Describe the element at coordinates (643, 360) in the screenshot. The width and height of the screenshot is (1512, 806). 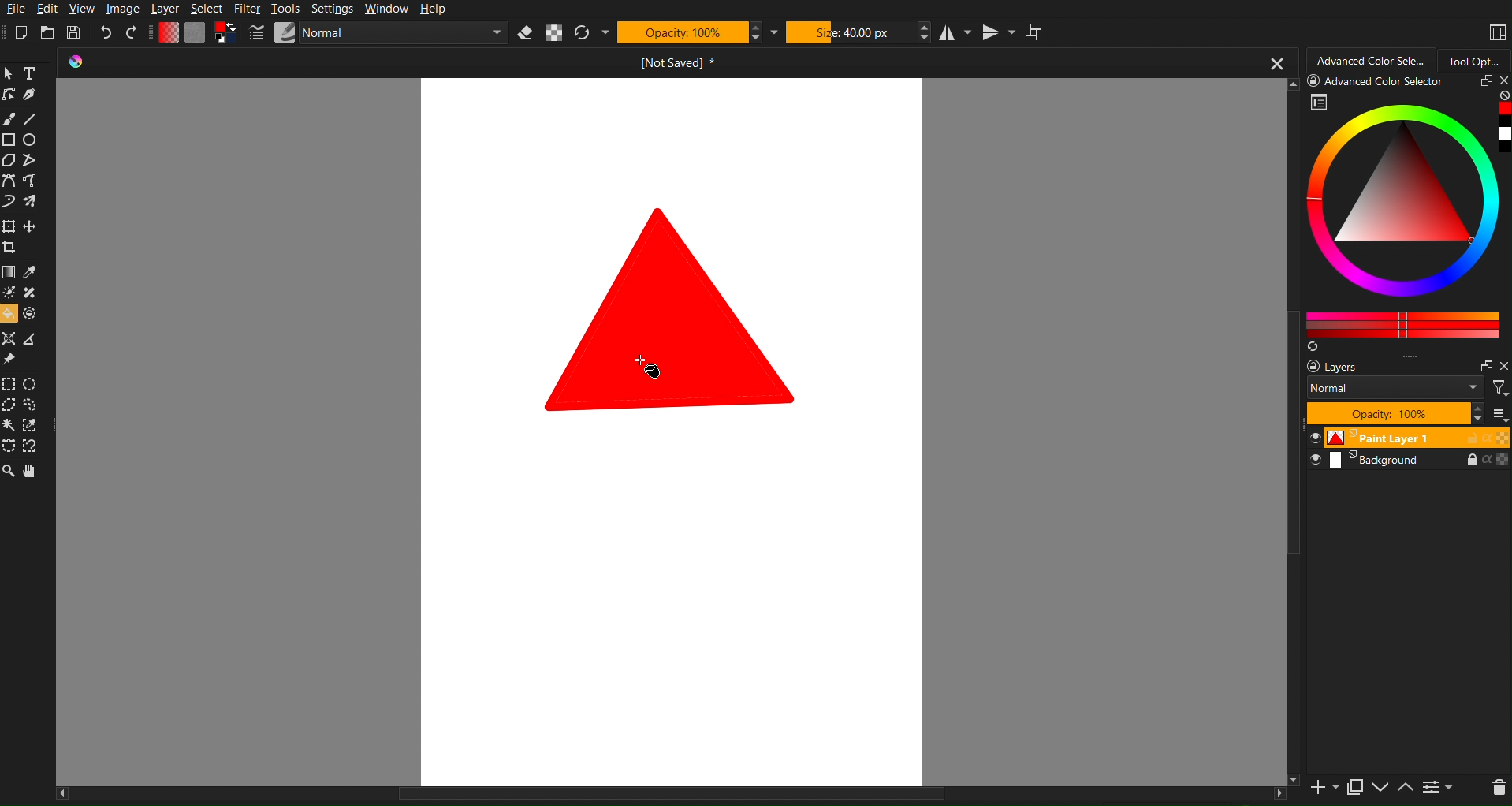
I see `mouse pointer` at that location.